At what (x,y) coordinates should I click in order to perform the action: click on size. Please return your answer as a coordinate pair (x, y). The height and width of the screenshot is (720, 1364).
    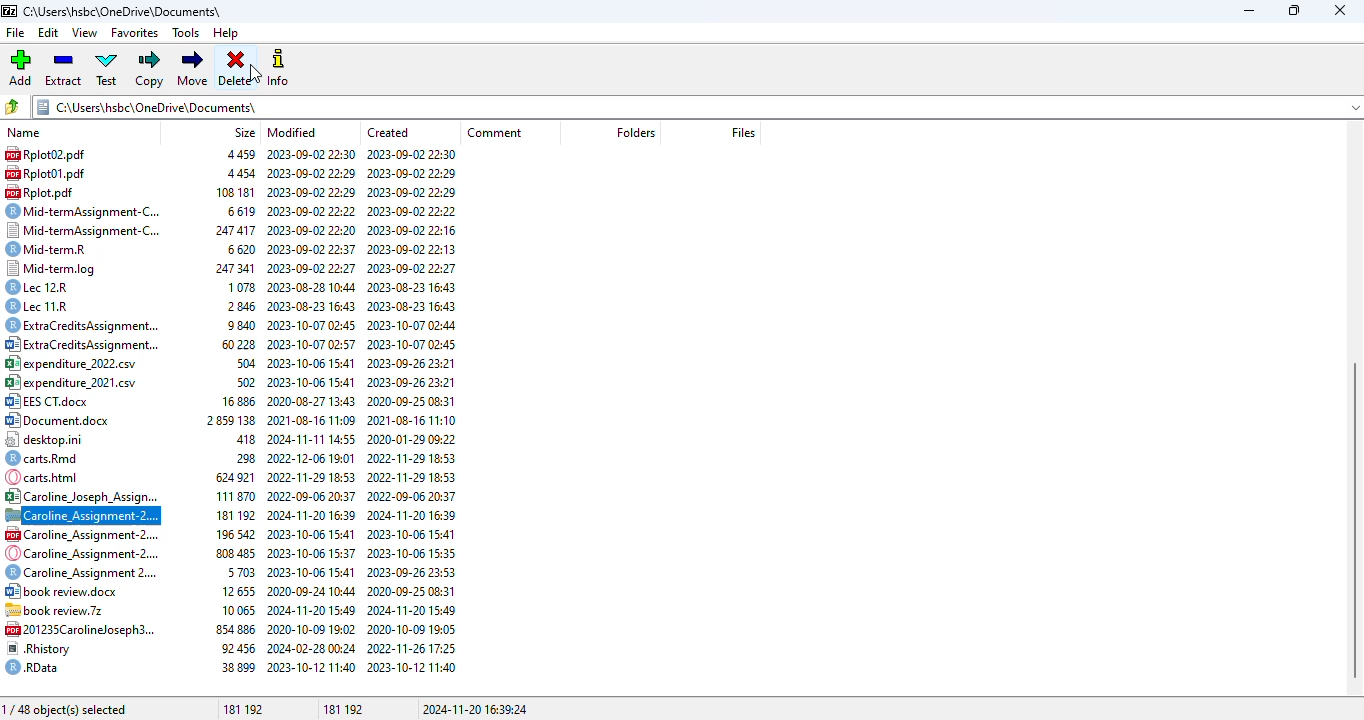
    Looking at the image, I should click on (245, 132).